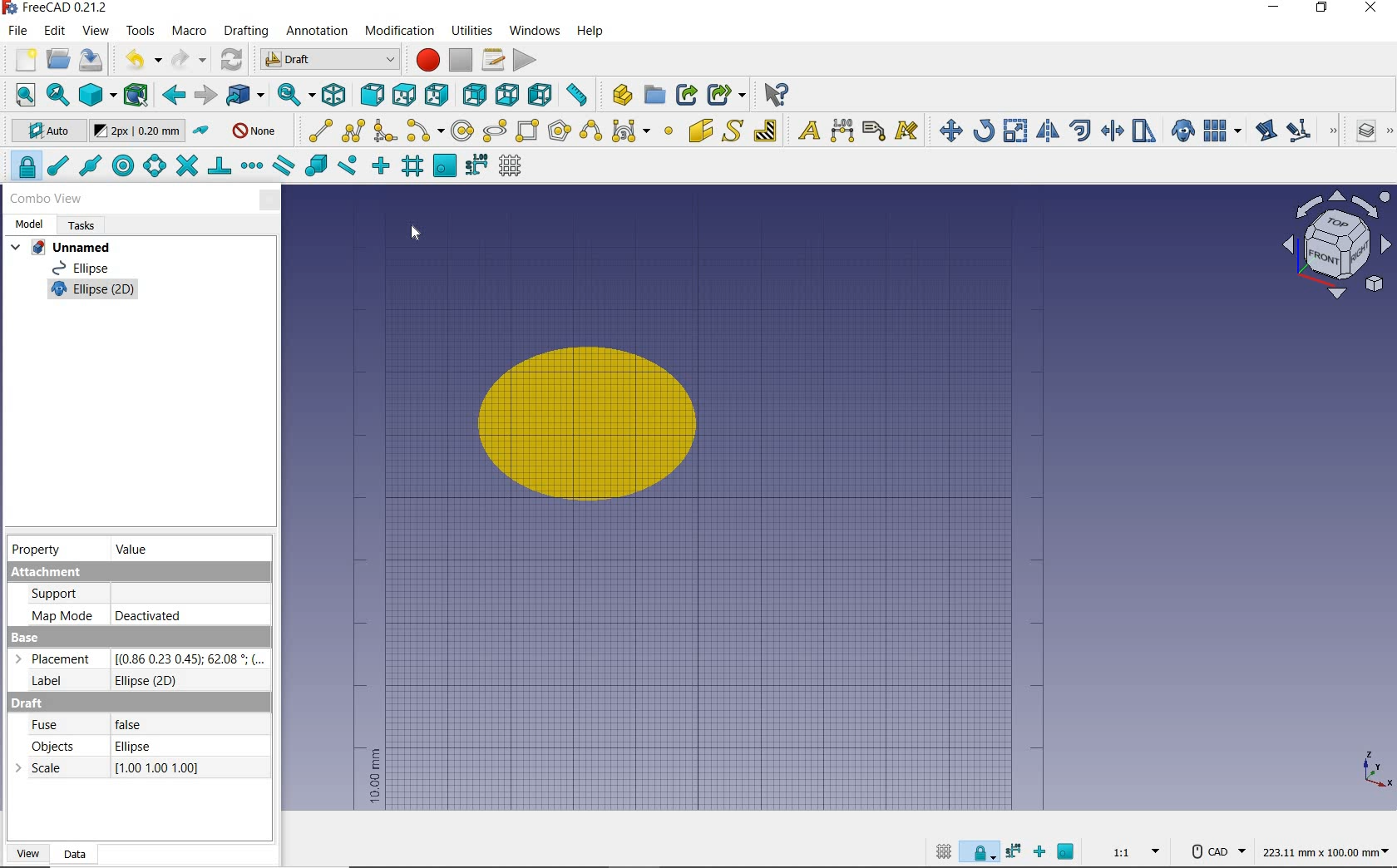 The width and height of the screenshot is (1397, 868). I want to click on autogroup off, so click(257, 130).